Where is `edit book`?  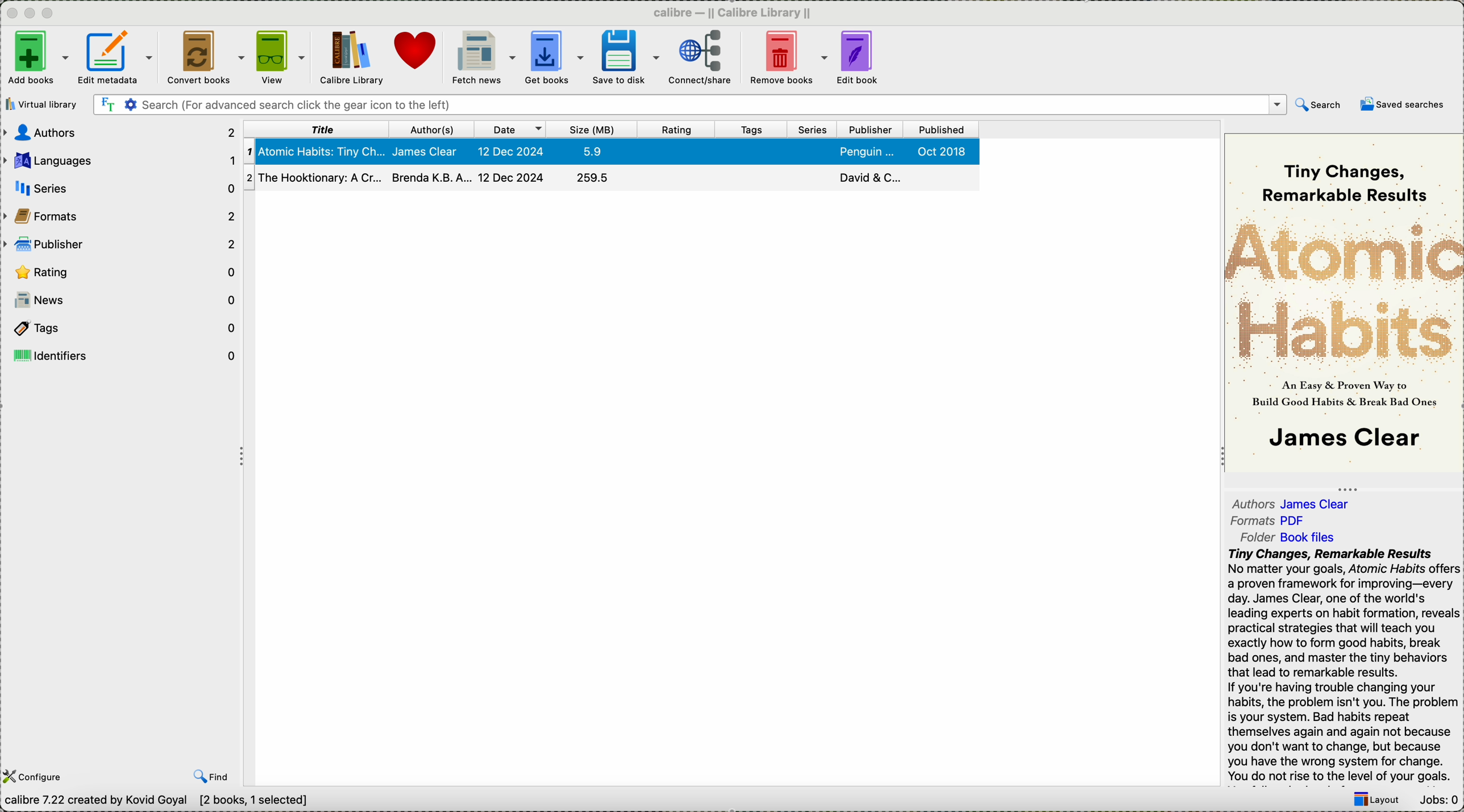
edit book is located at coordinates (859, 59).